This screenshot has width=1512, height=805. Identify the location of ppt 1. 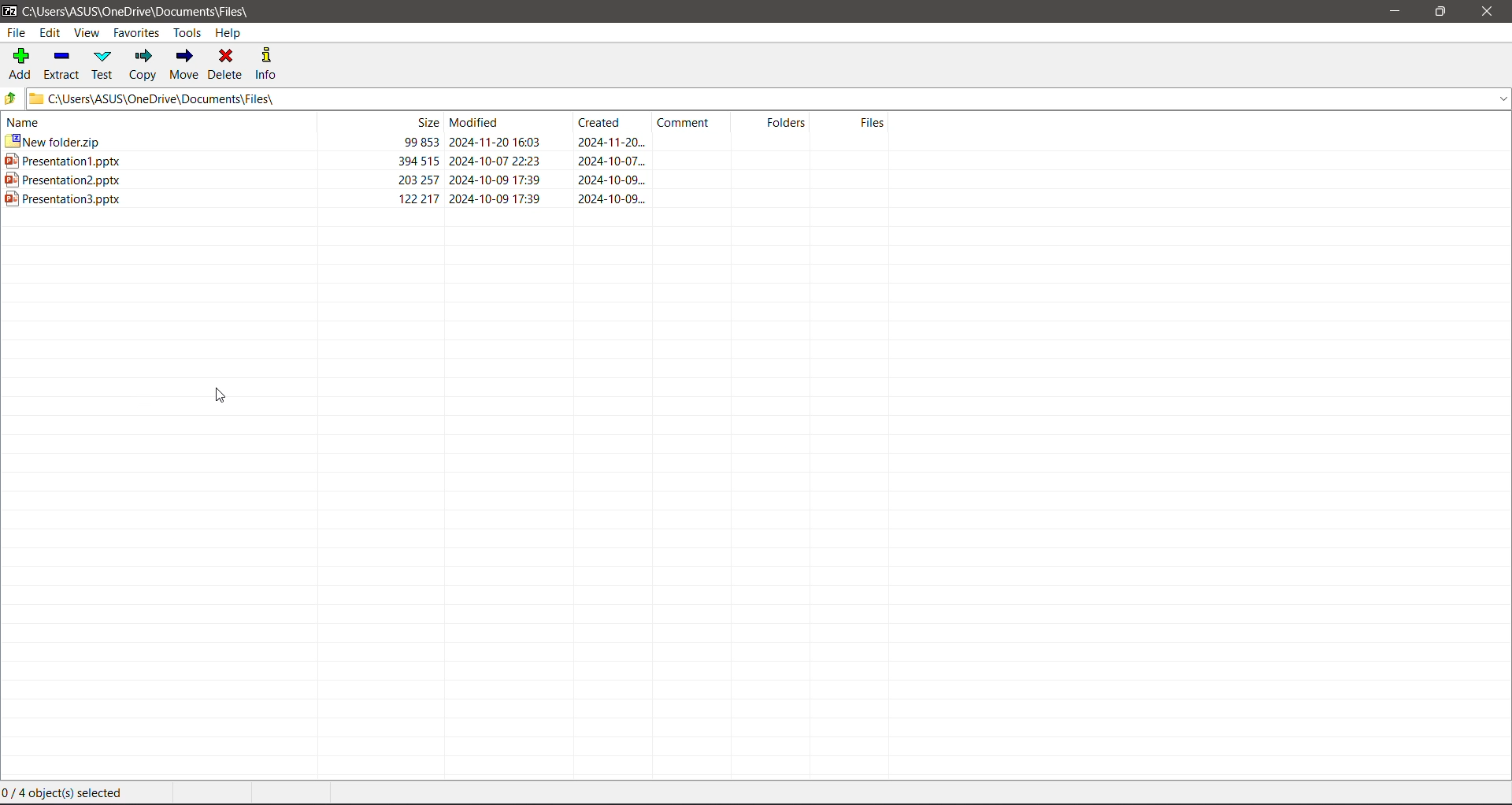
(447, 159).